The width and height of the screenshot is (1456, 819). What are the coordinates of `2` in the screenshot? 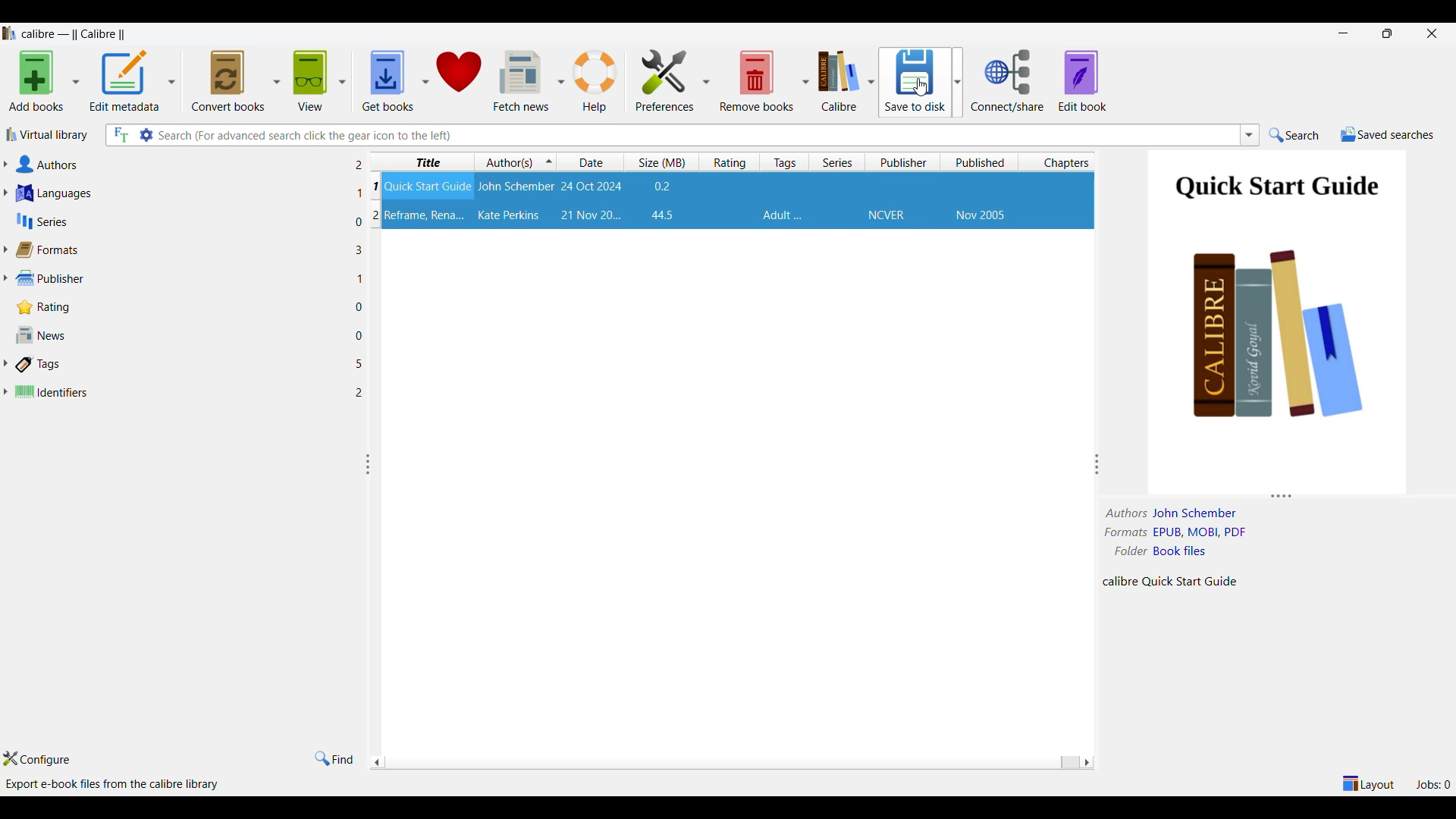 It's located at (362, 394).